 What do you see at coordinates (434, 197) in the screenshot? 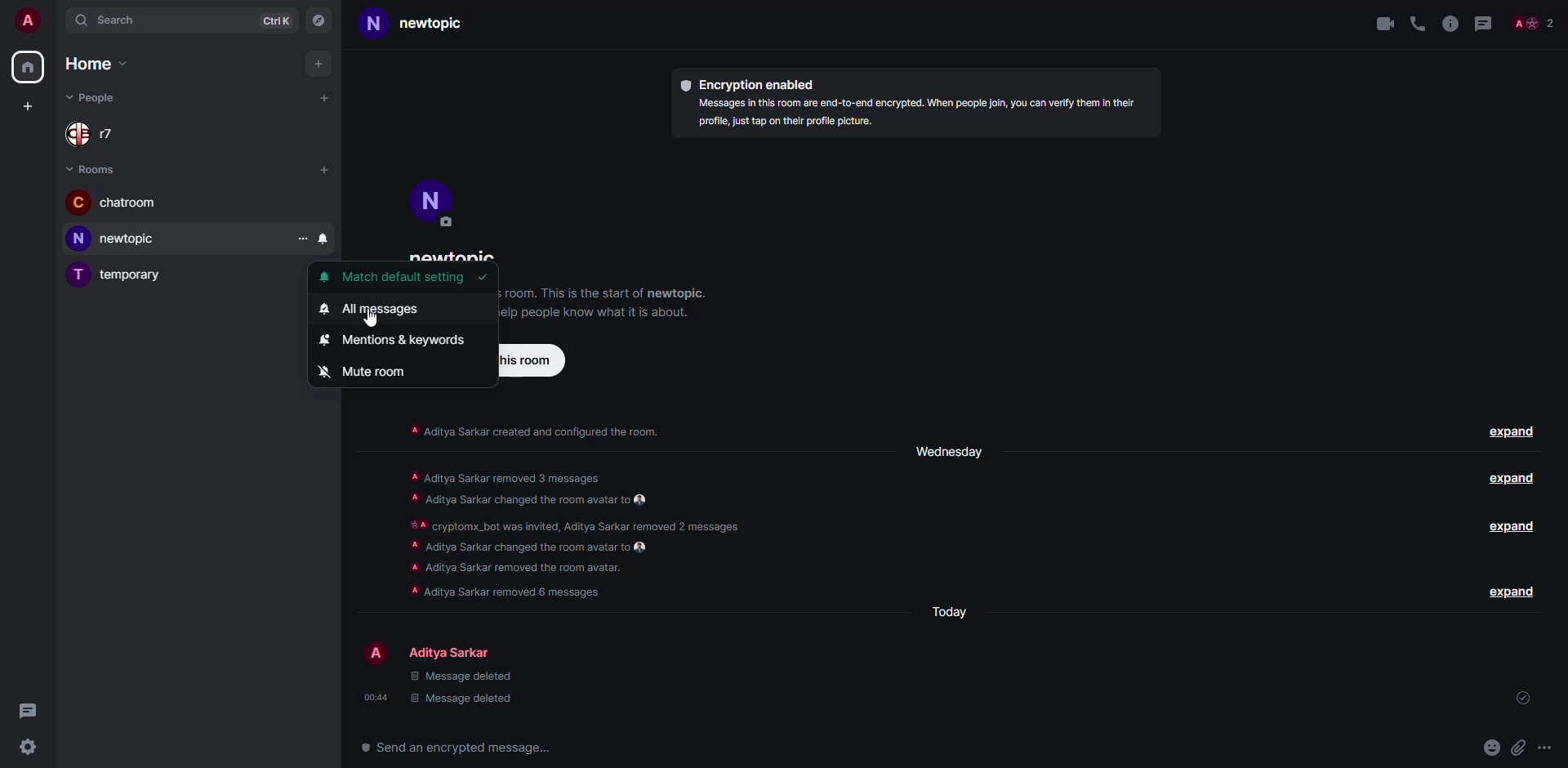
I see `profile` at bounding box center [434, 197].